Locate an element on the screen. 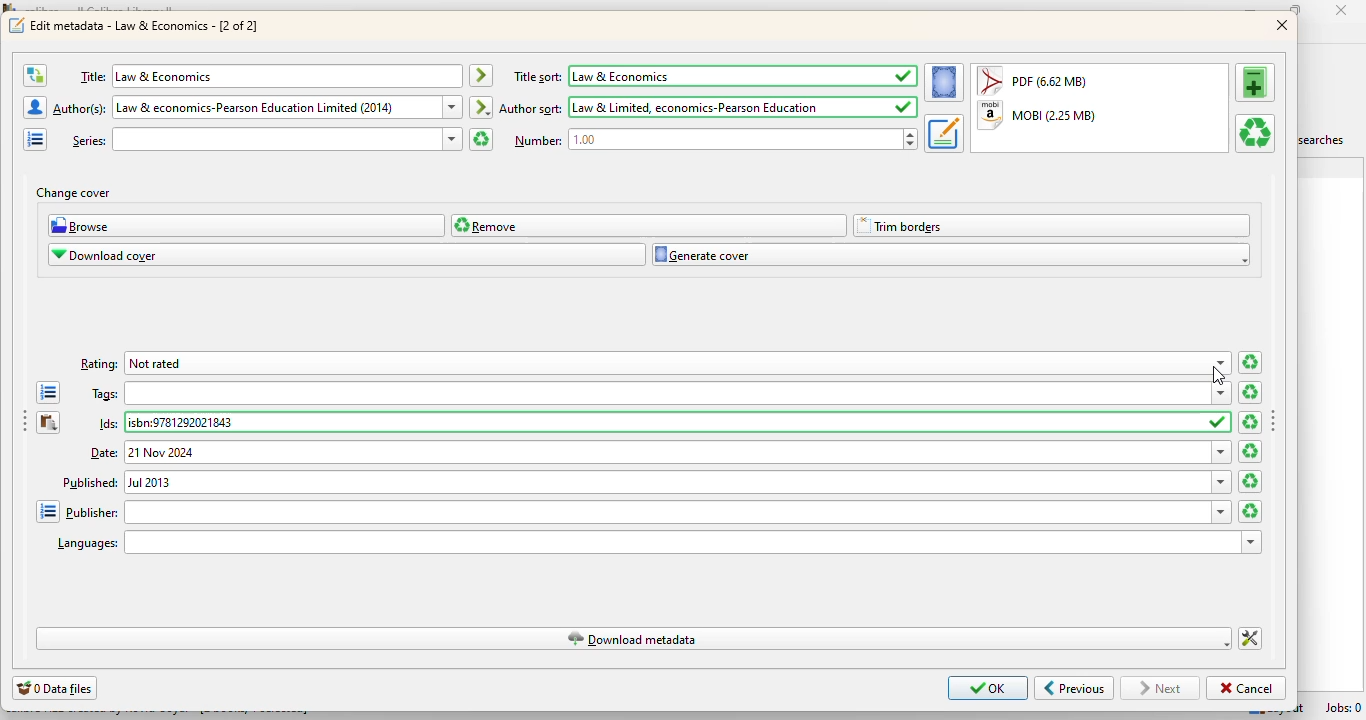 The width and height of the screenshot is (1366, 720). date:  is located at coordinates (659, 452).